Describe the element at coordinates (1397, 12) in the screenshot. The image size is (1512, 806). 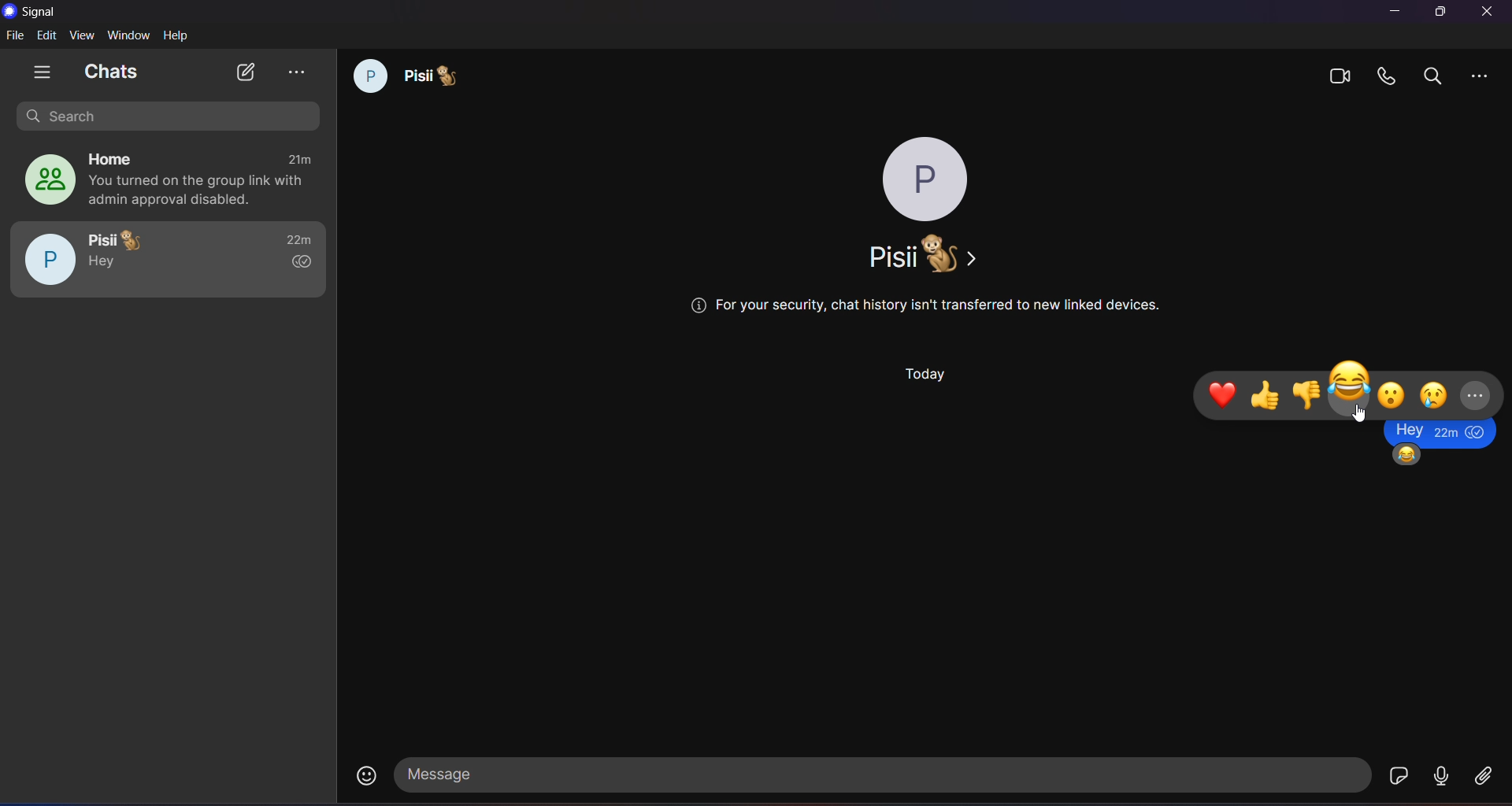
I see `minimize` at that location.